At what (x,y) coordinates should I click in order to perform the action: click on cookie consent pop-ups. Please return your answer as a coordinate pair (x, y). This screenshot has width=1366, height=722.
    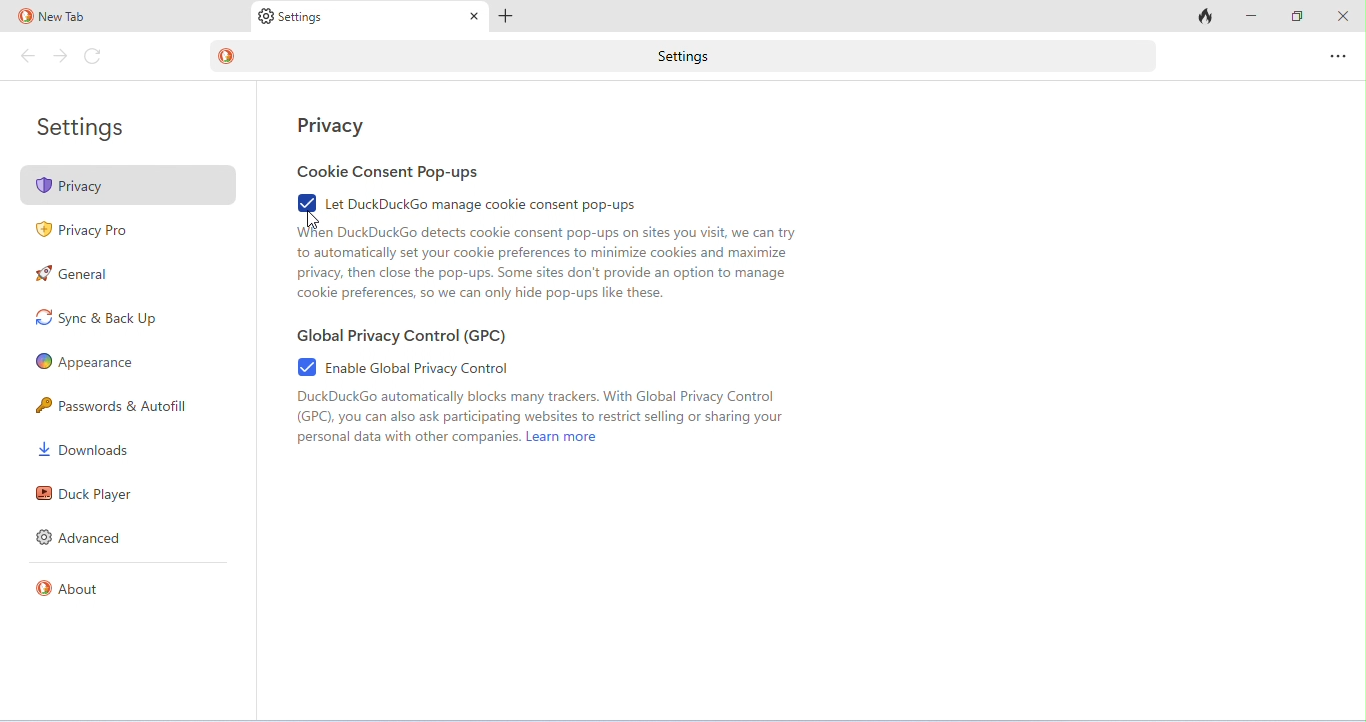
    Looking at the image, I should click on (390, 172).